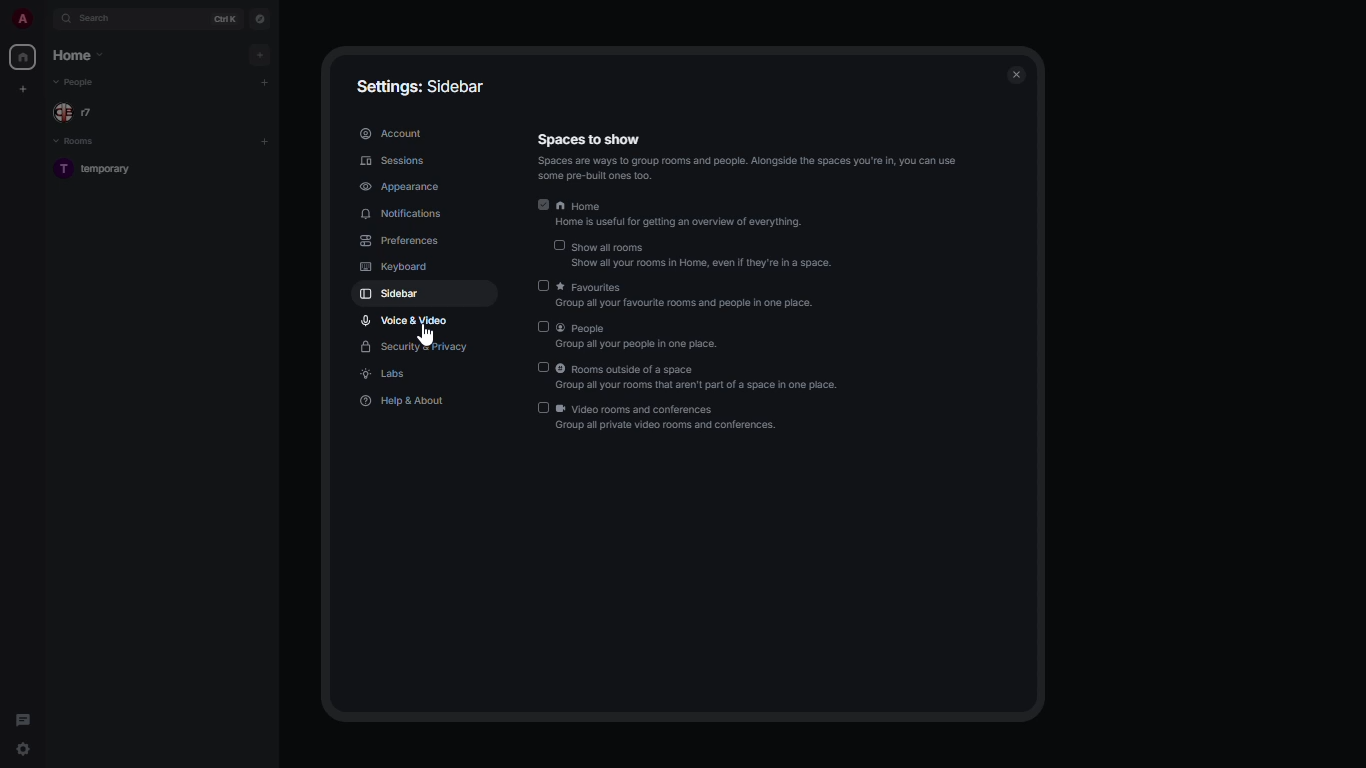 This screenshot has width=1366, height=768. Describe the element at coordinates (393, 132) in the screenshot. I see `account` at that location.